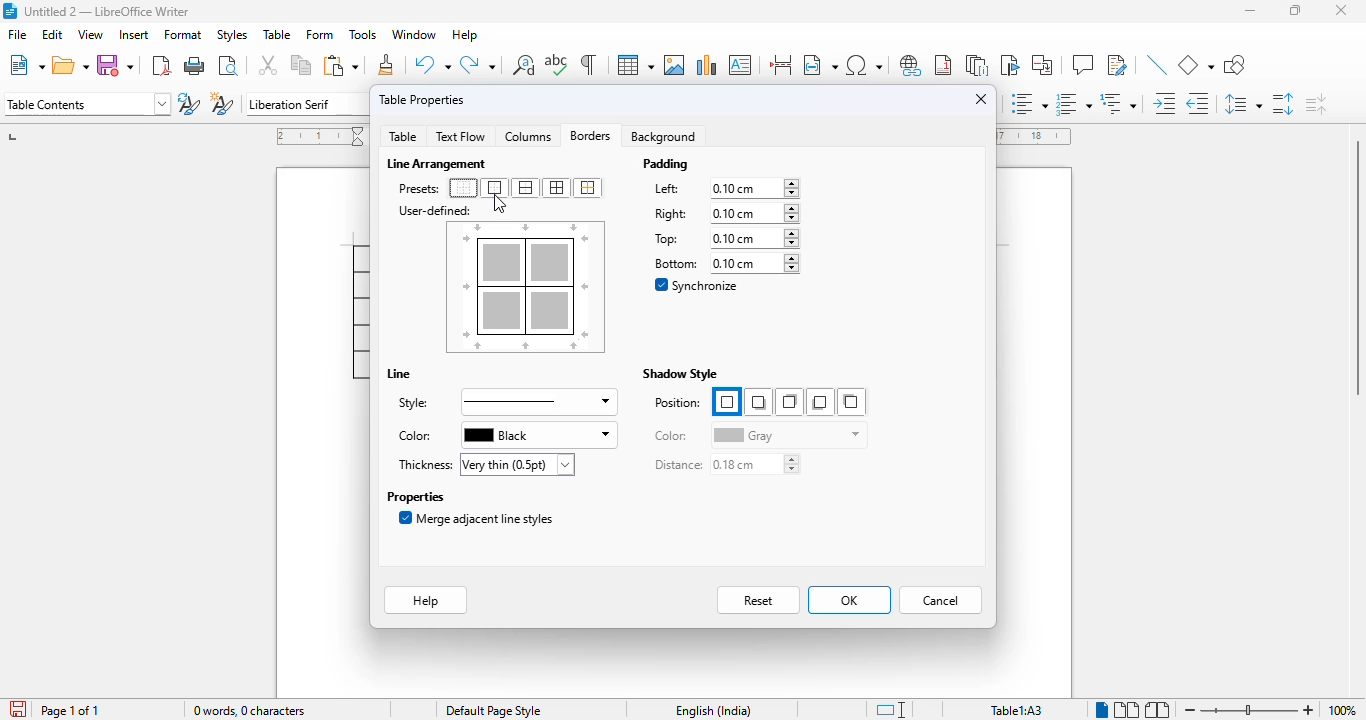 The image size is (1366, 720). I want to click on page 1 of 1, so click(70, 711).